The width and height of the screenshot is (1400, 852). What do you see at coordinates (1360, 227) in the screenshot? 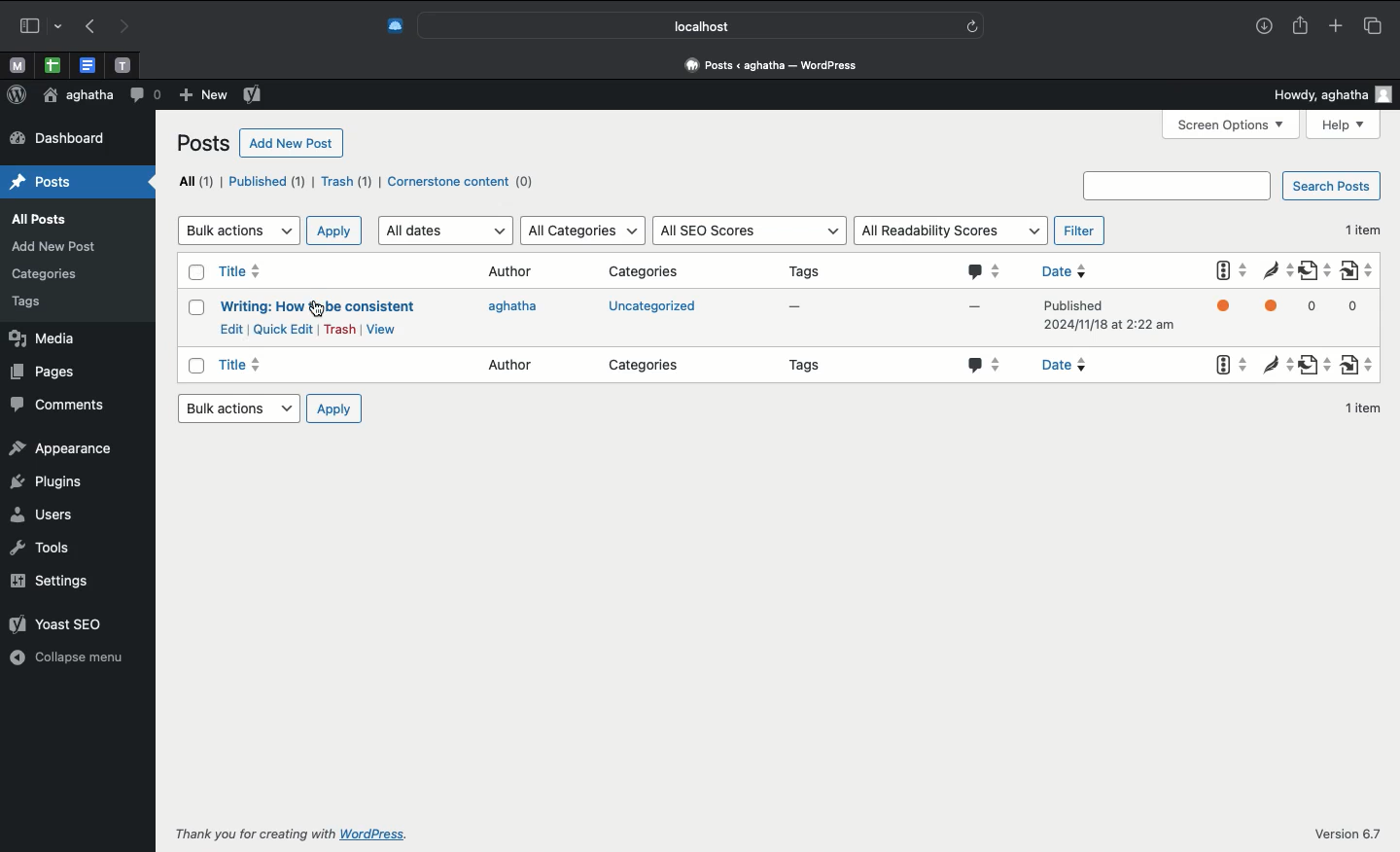
I see `1 item` at bounding box center [1360, 227].